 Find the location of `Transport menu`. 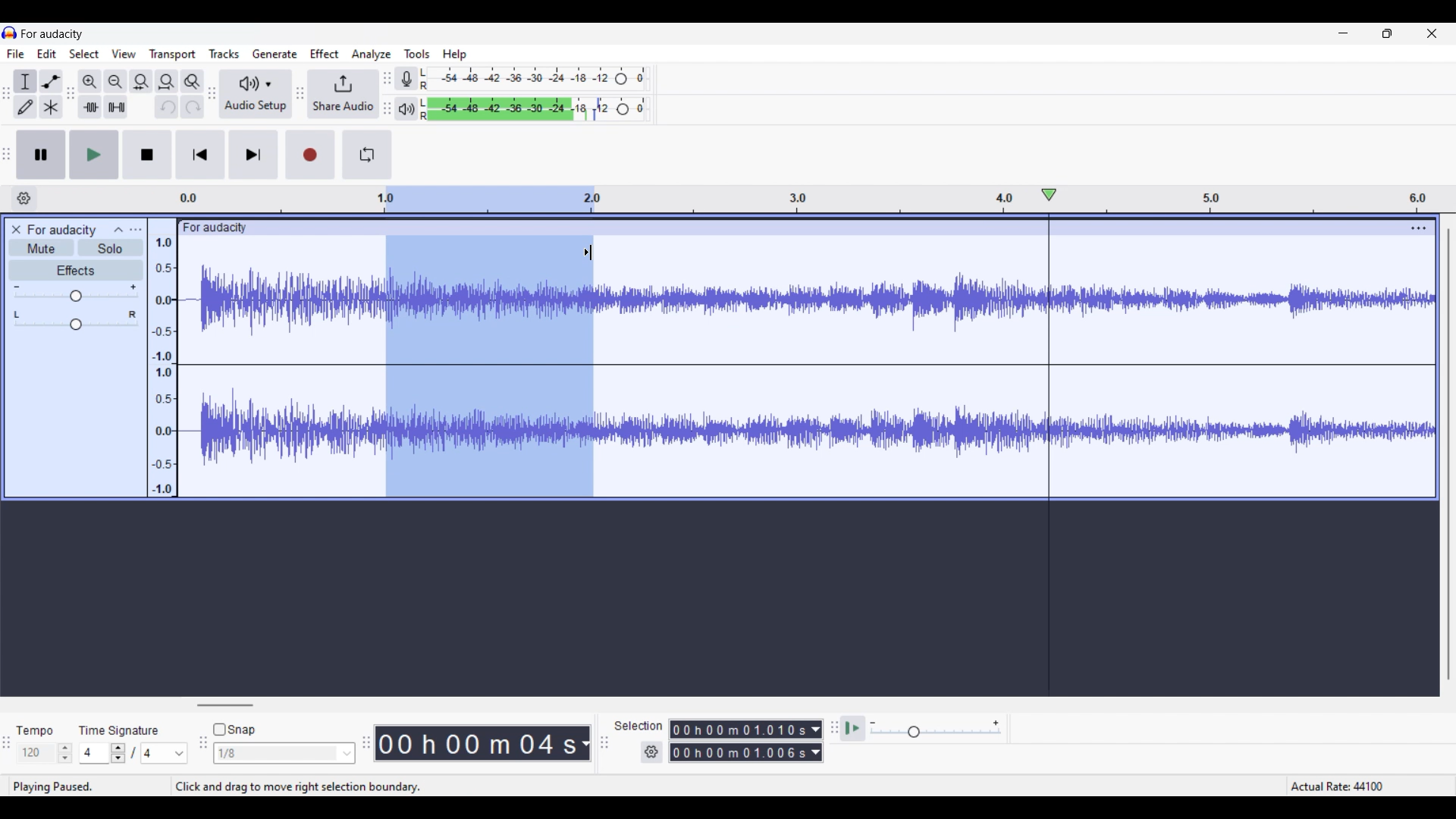

Transport menu is located at coordinates (173, 55).